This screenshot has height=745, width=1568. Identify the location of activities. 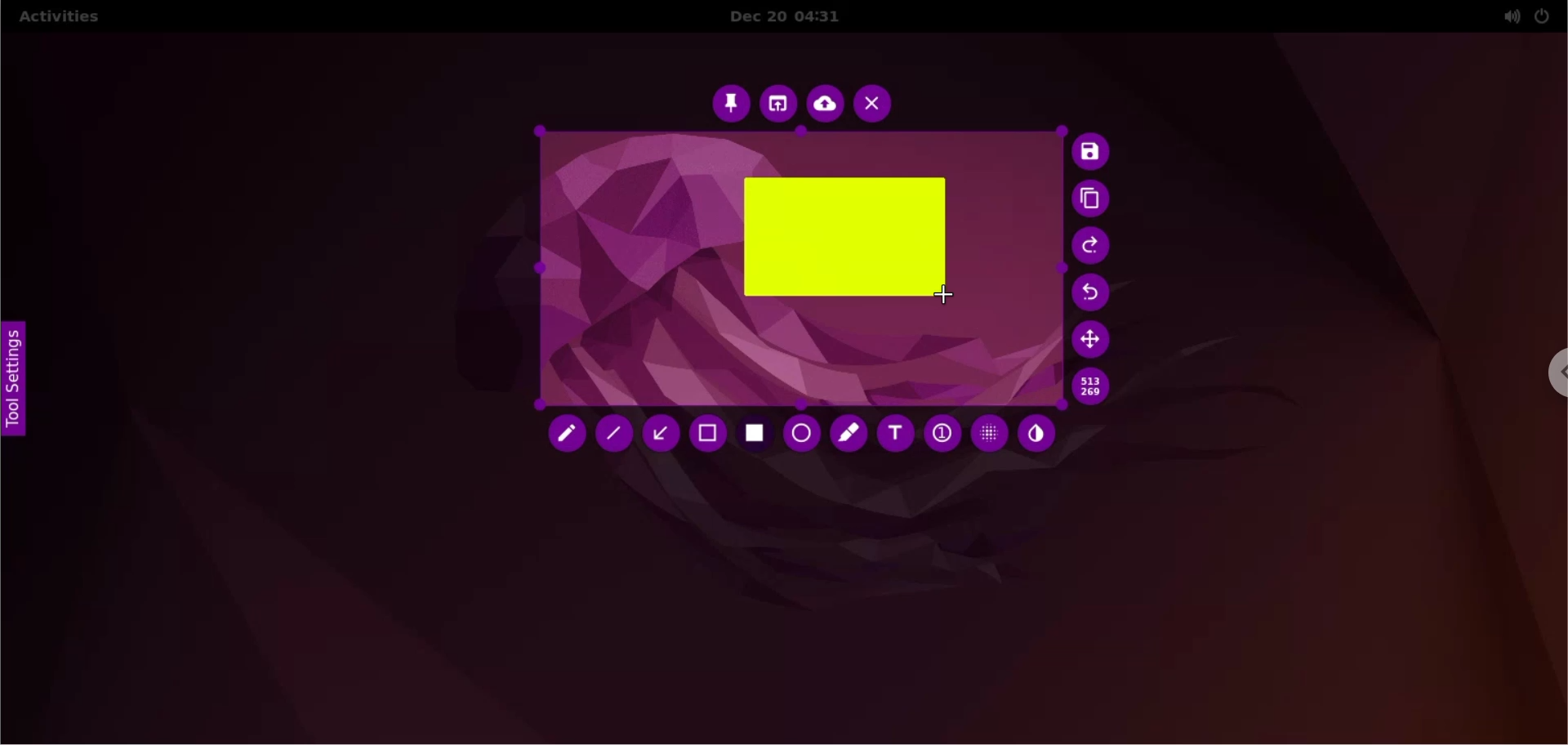
(65, 16).